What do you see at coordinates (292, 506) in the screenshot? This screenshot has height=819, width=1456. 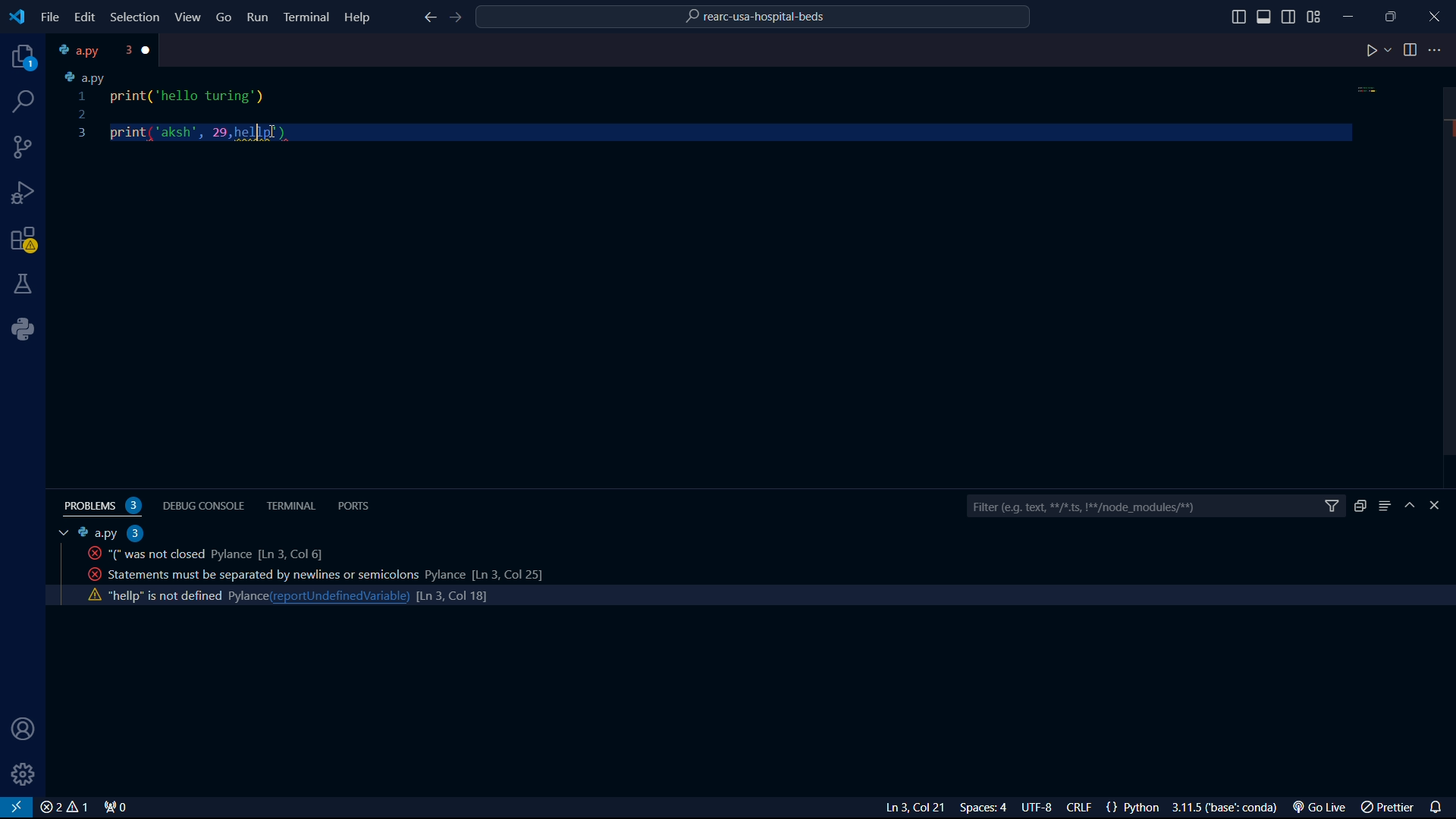 I see `terminal` at bounding box center [292, 506].